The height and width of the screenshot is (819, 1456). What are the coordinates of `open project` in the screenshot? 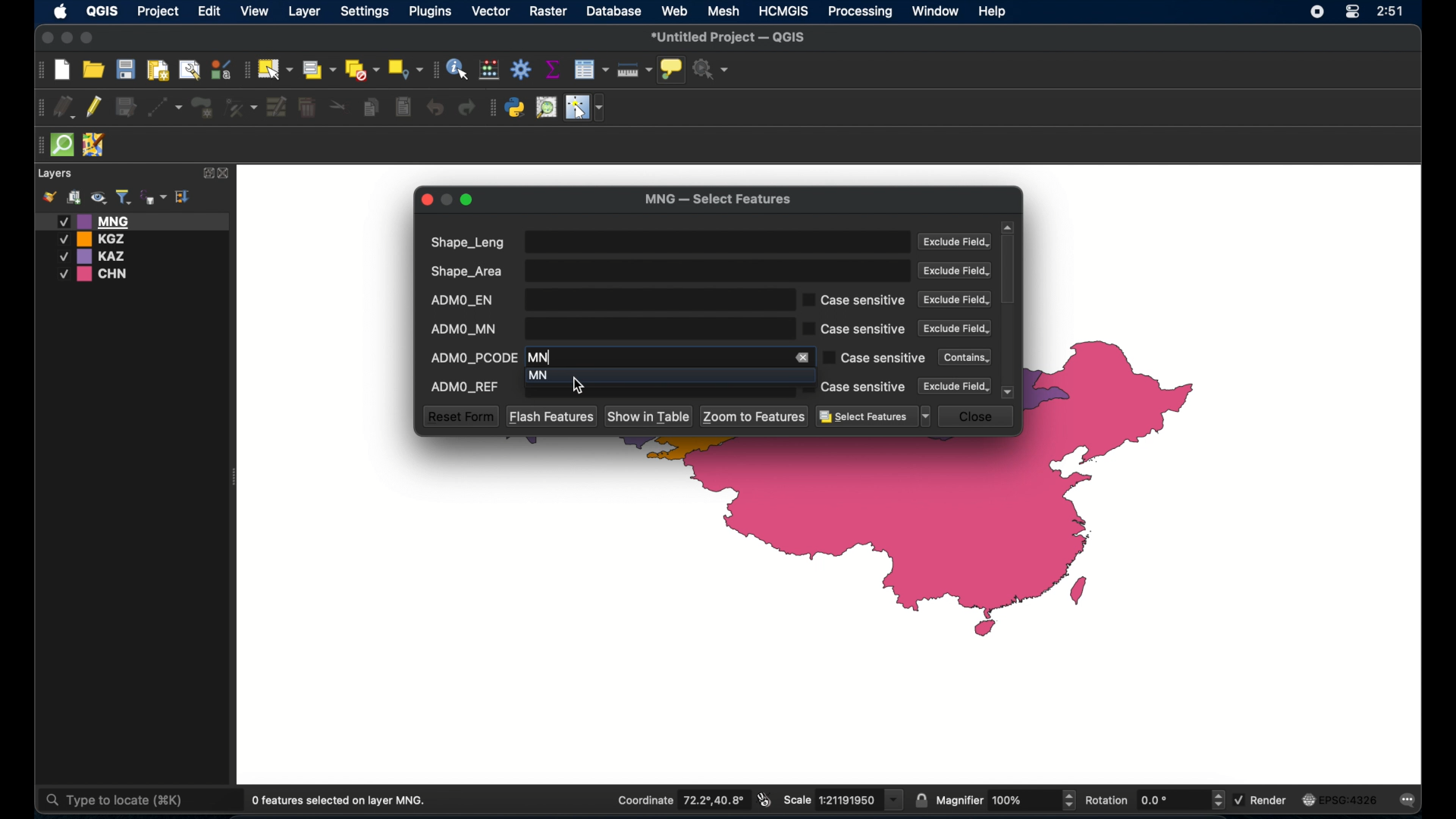 It's located at (93, 69).